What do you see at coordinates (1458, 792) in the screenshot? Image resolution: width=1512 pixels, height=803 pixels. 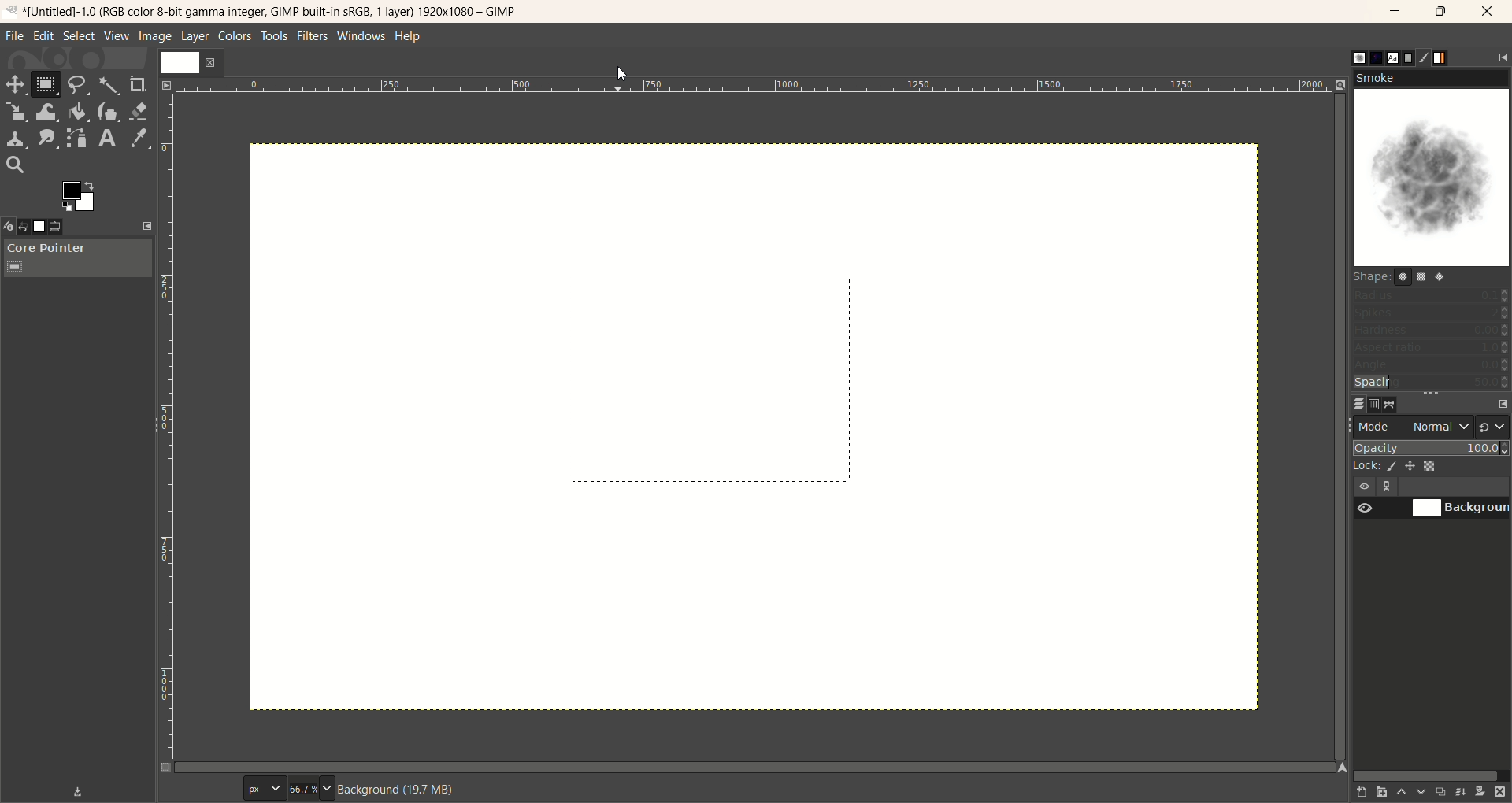 I see `merge this layer` at bounding box center [1458, 792].